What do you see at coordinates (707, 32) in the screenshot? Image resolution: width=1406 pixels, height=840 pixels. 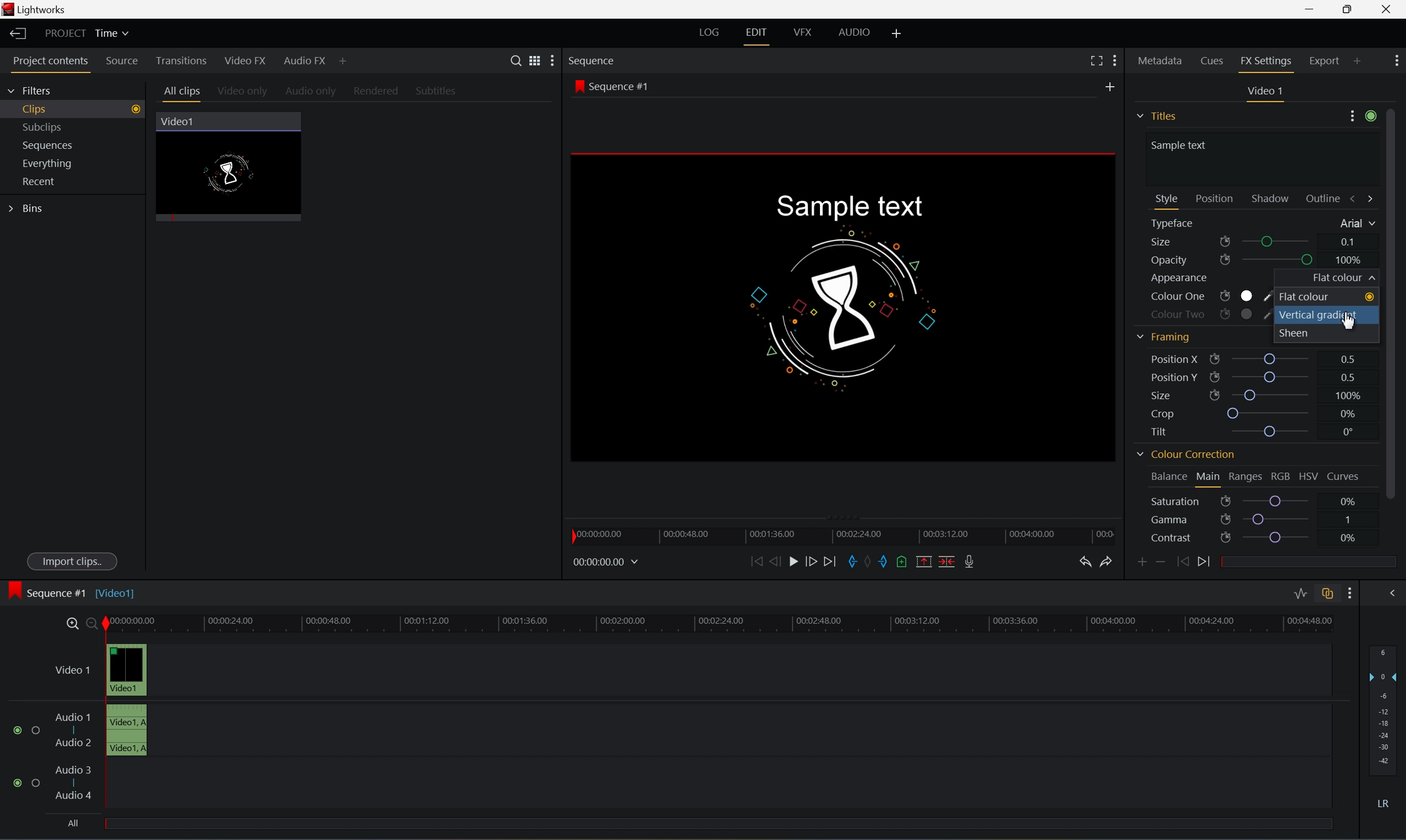 I see `log` at bounding box center [707, 32].